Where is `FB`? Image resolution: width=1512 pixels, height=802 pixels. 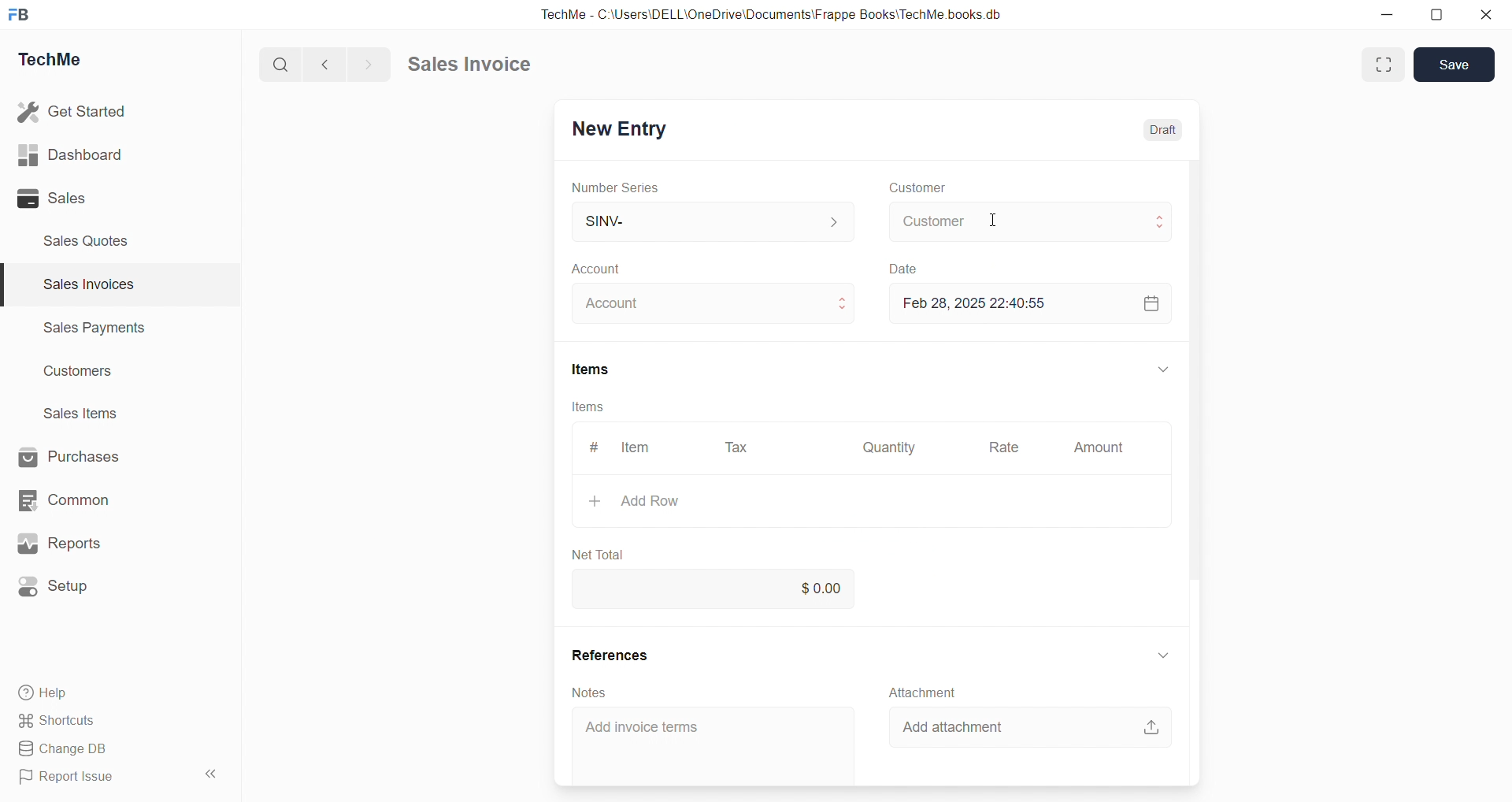
FB is located at coordinates (19, 16).